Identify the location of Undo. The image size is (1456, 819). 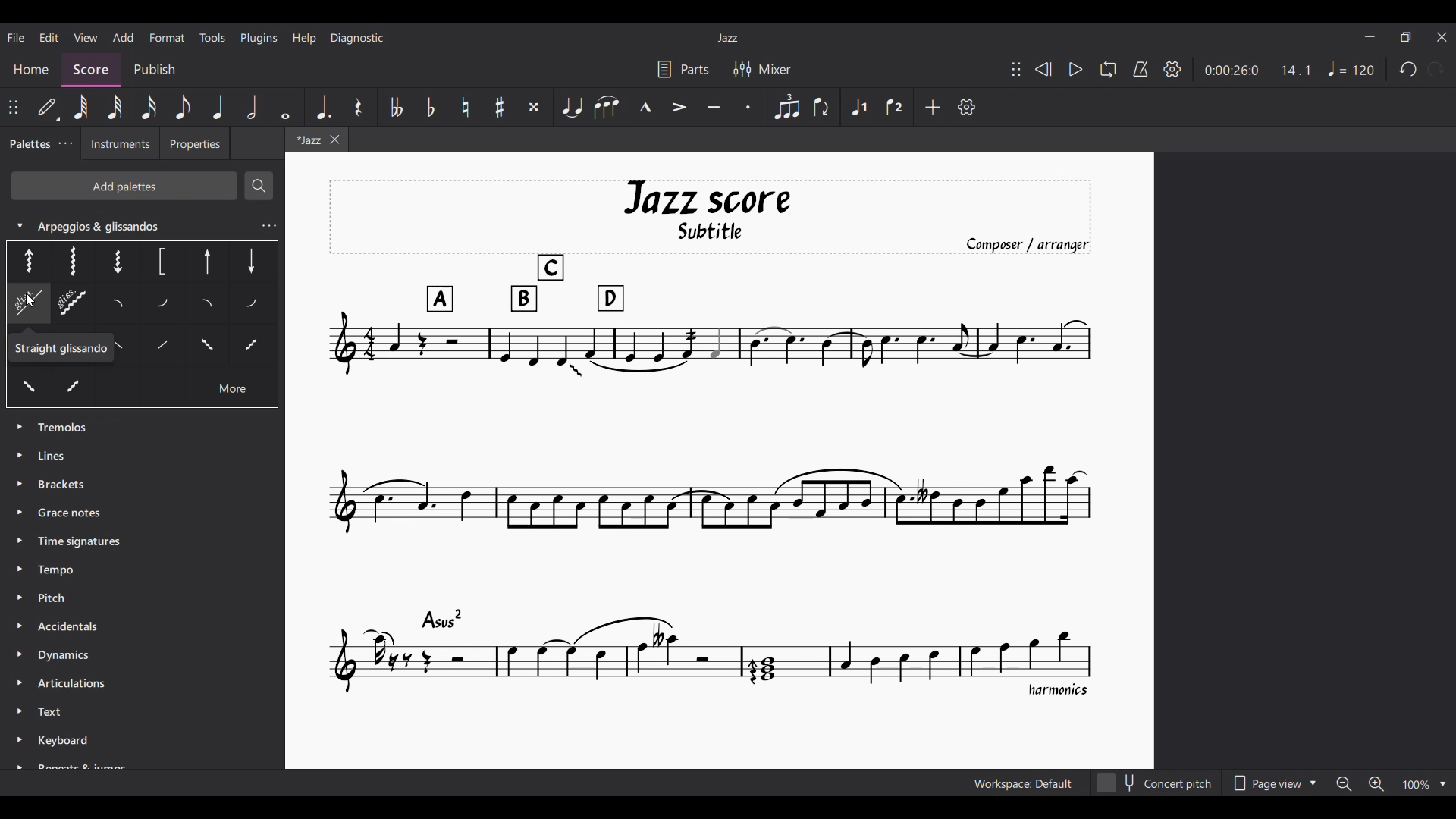
(1408, 69).